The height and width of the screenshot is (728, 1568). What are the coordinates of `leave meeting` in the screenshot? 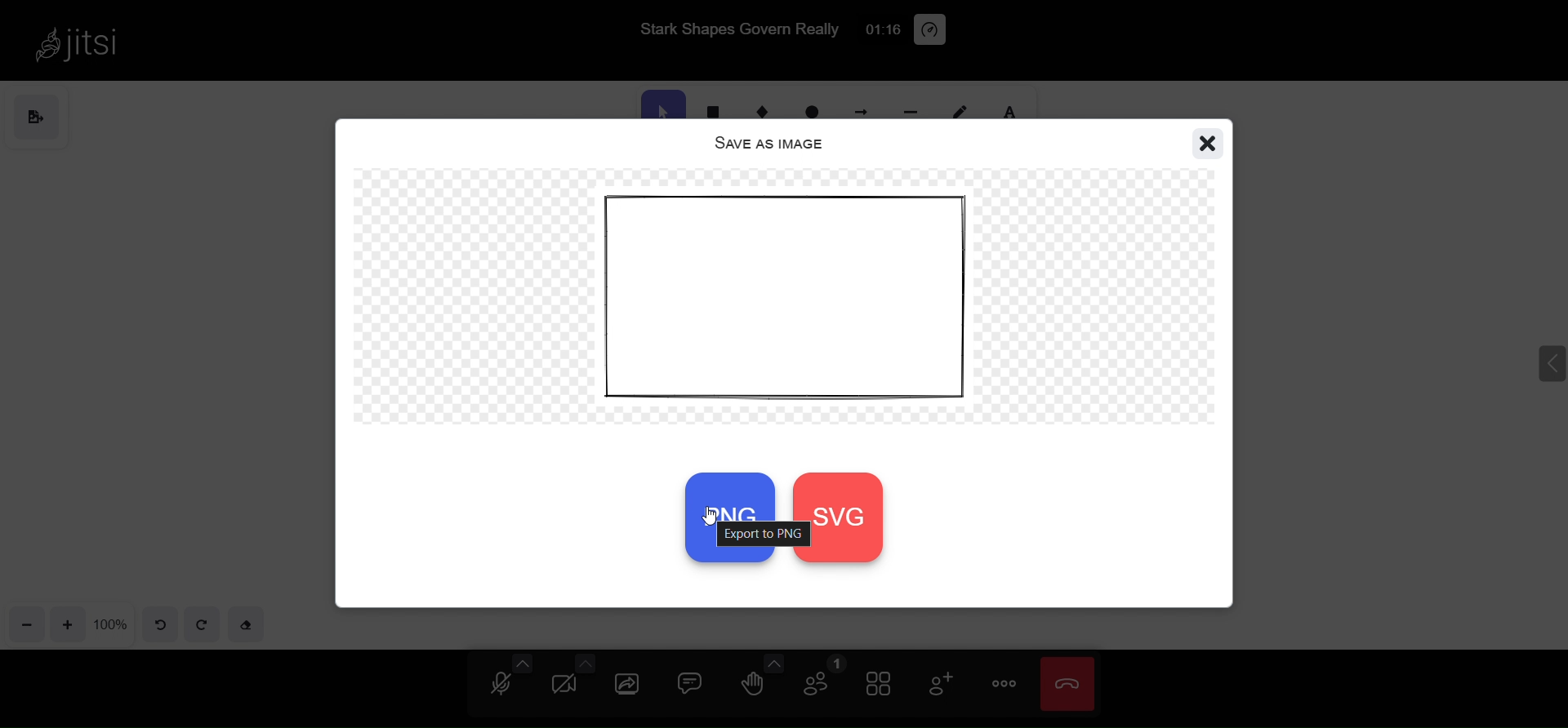 It's located at (1071, 684).